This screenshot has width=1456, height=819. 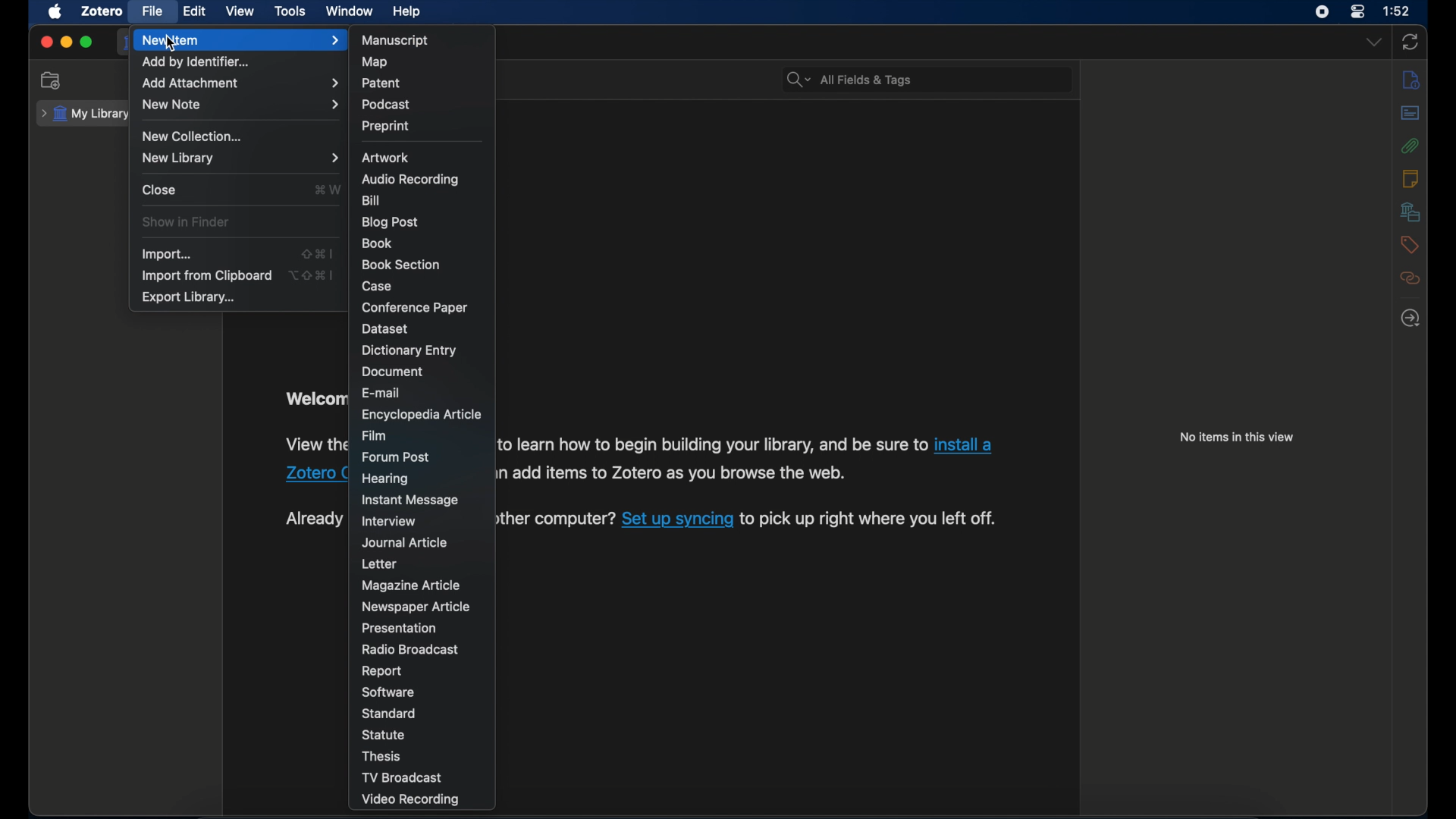 What do you see at coordinates (386, 126) in the screenshot?
I see `preprint` at bounding box center [386, 126].